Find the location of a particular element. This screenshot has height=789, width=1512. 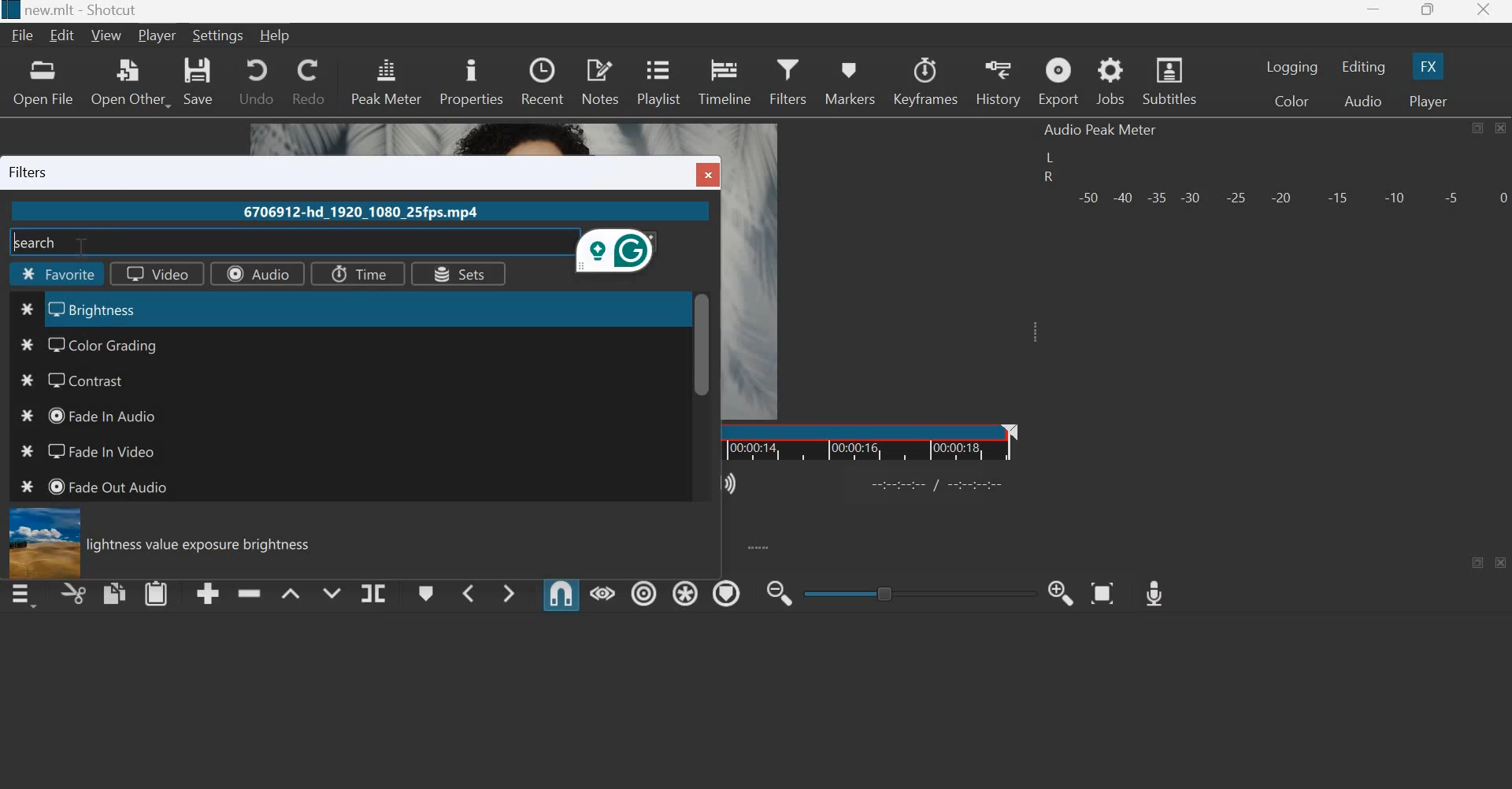

Volume meter is located at coordinates (1291, 195).